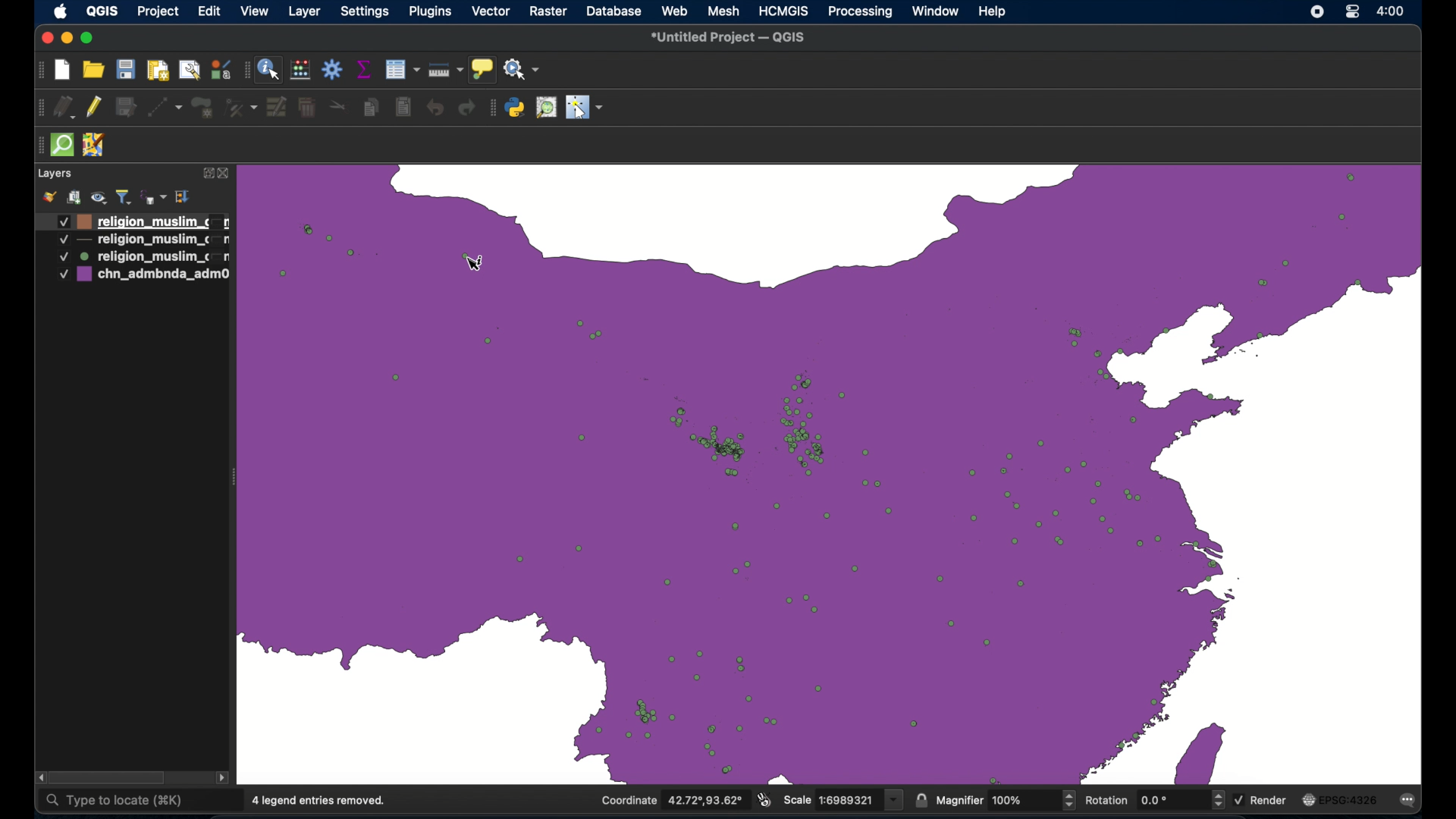 The width and height of the screenshot is (1456, 819). Describe the element at coordinates (184, 197) in the screenshot. I see `expand all` at that location.